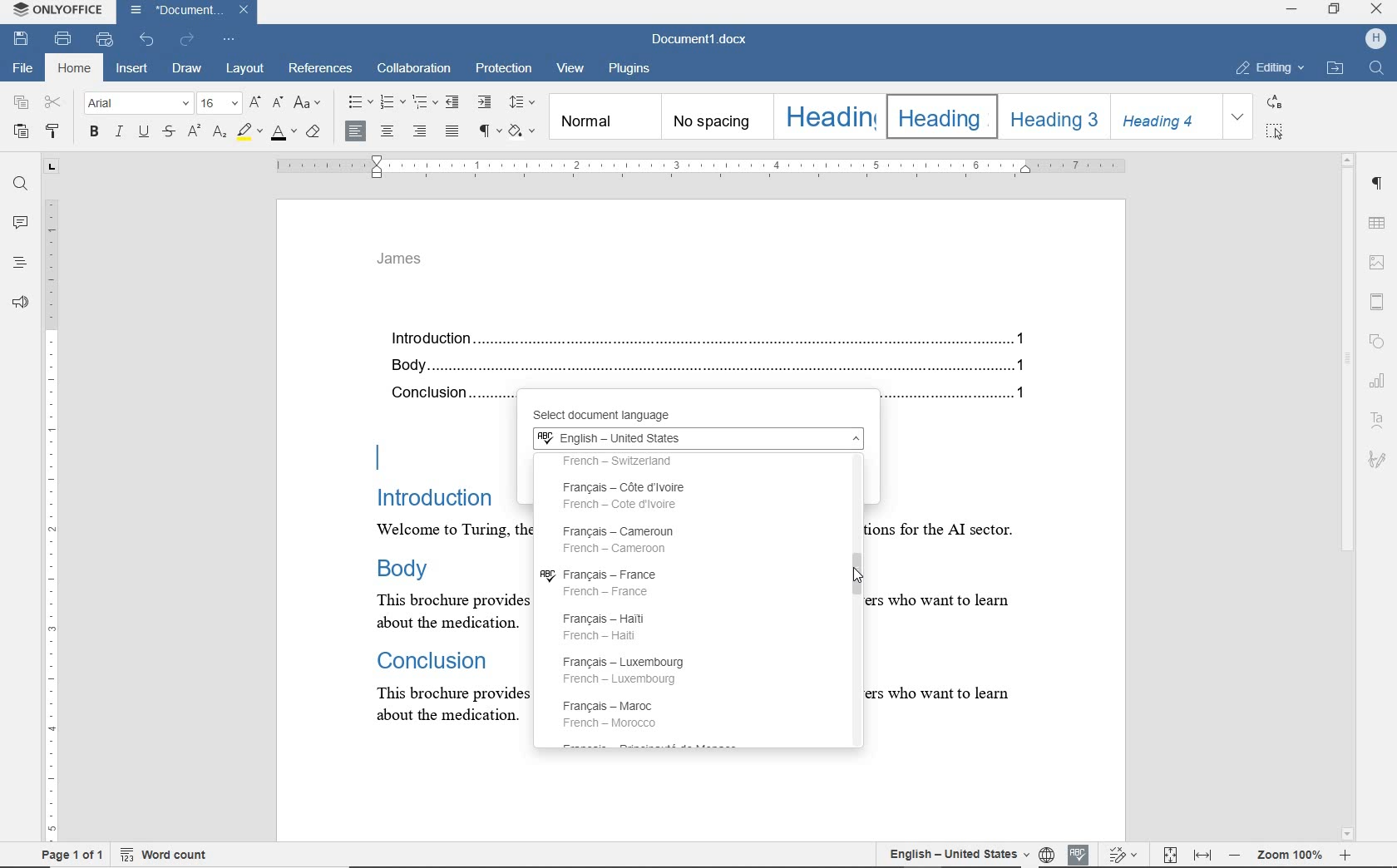 The height and width of the screenshot is (868, 1397). Describe the element at coordinates (139, 104) in the screenshot. I see `font` at that location.